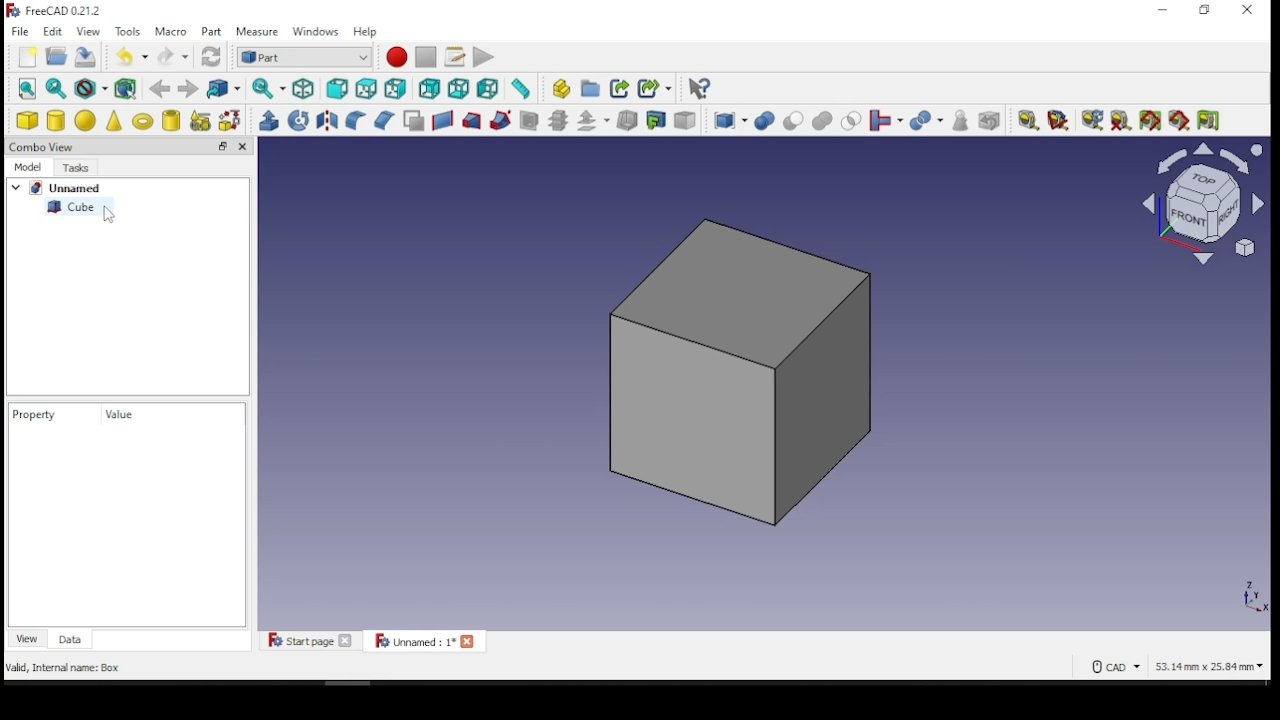  I want to click on cone, so click(115, 120).